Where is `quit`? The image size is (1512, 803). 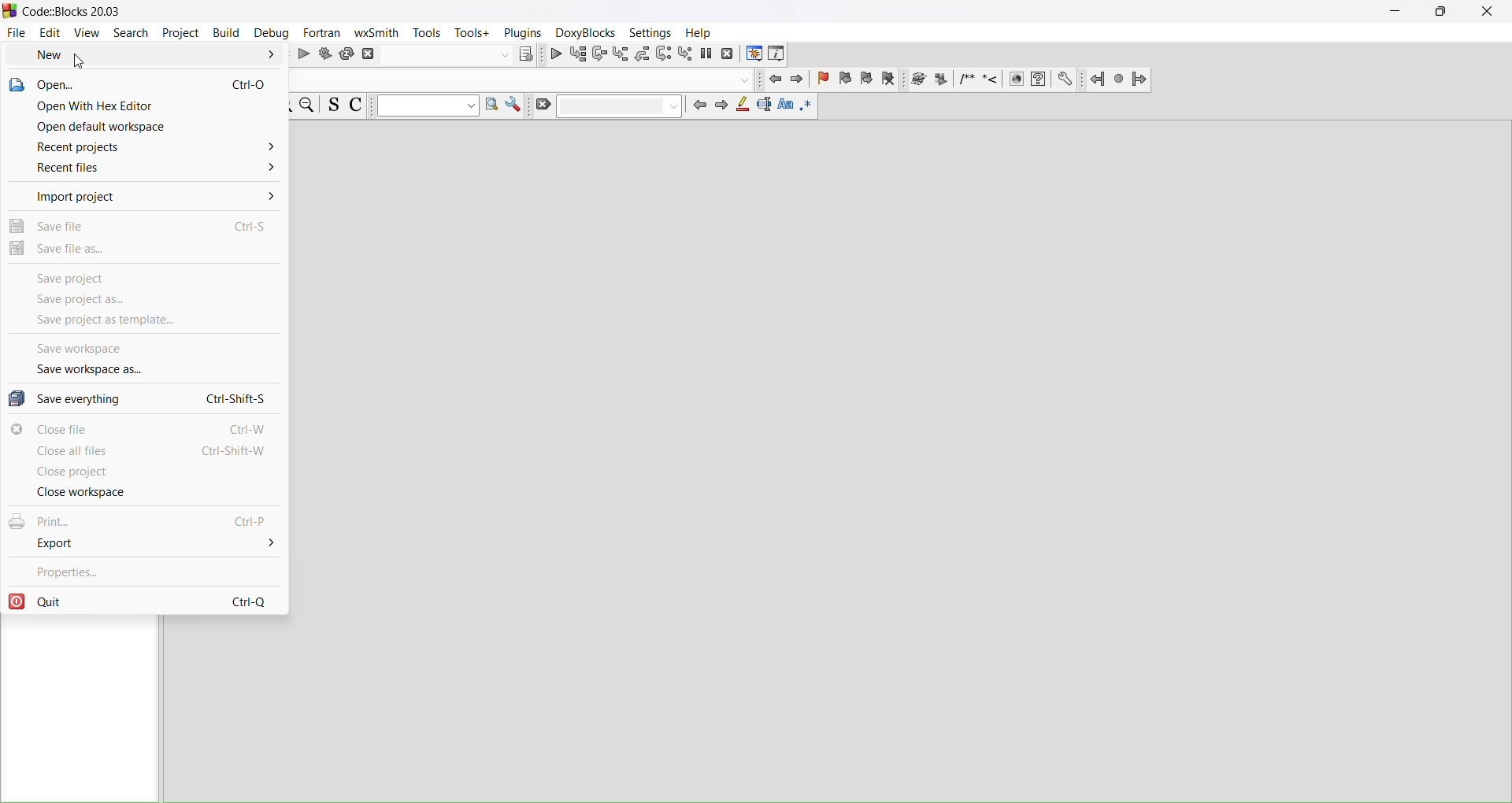 quit is located at coordinates (145, 601).